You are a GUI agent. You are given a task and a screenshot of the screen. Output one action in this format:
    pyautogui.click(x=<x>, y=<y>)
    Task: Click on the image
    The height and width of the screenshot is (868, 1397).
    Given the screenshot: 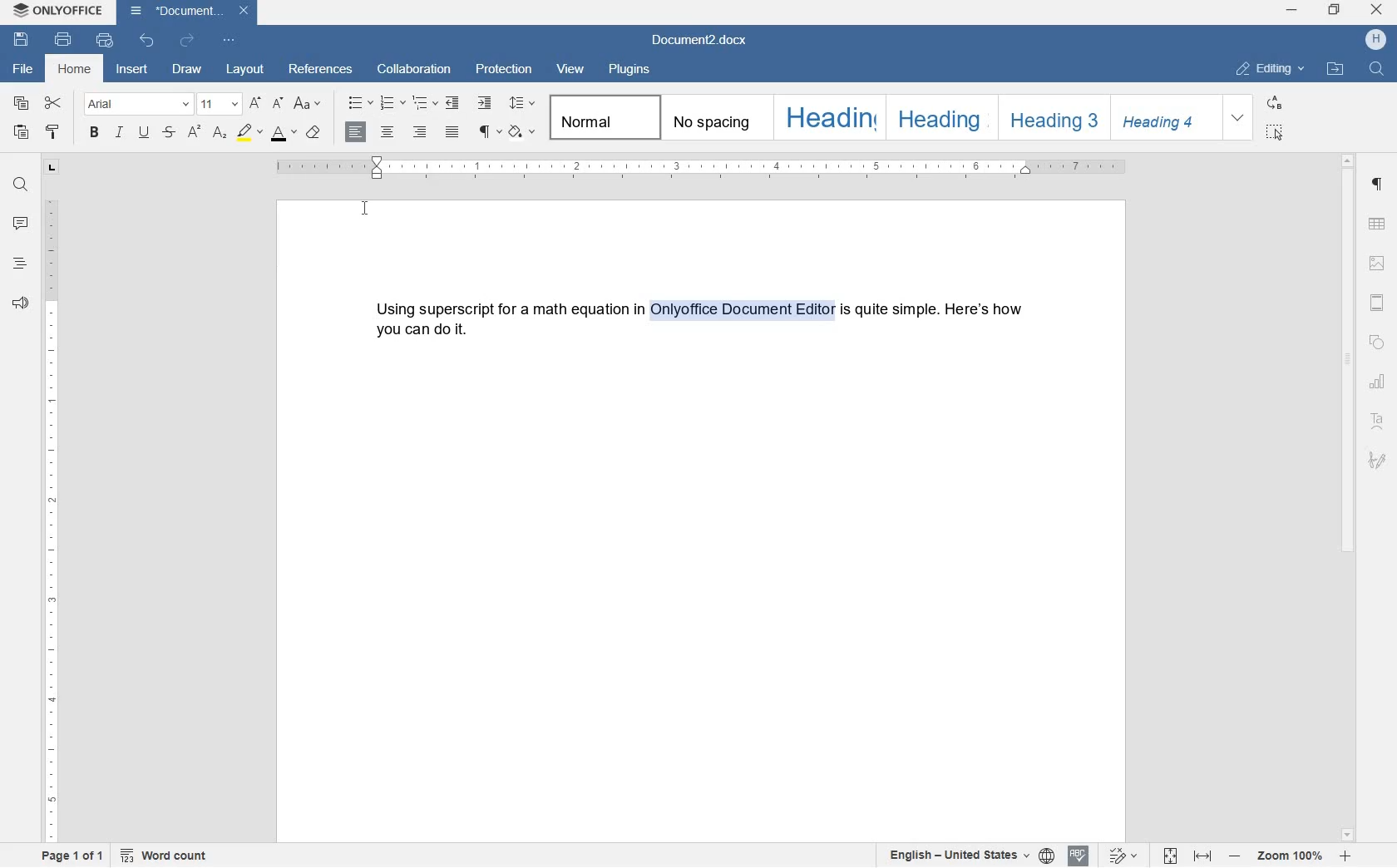 What is the action you would take?
    pyautogui.click(x=1377, y=263)
    